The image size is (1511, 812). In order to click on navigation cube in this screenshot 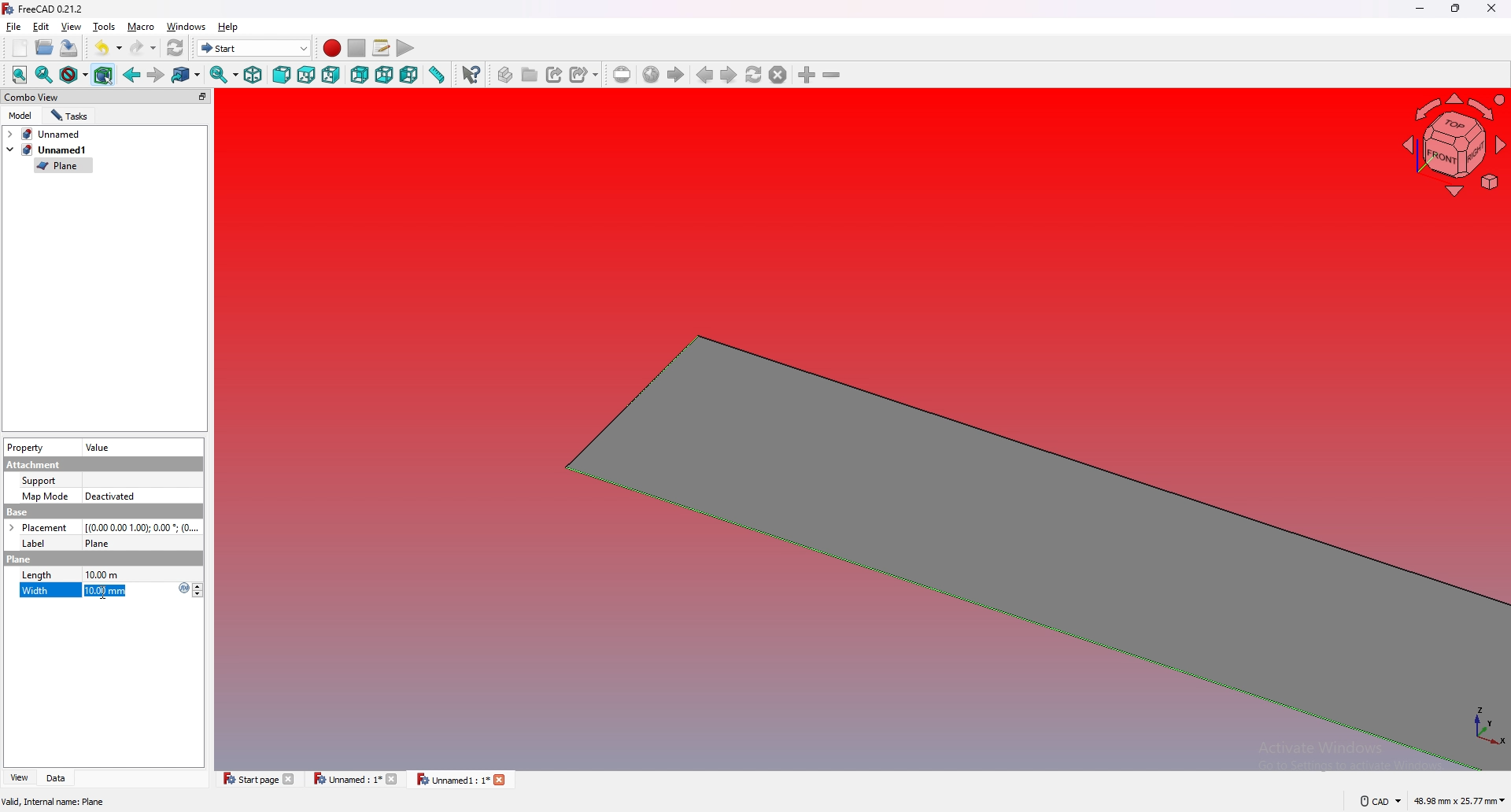, I will do `click(1452, 146)`.